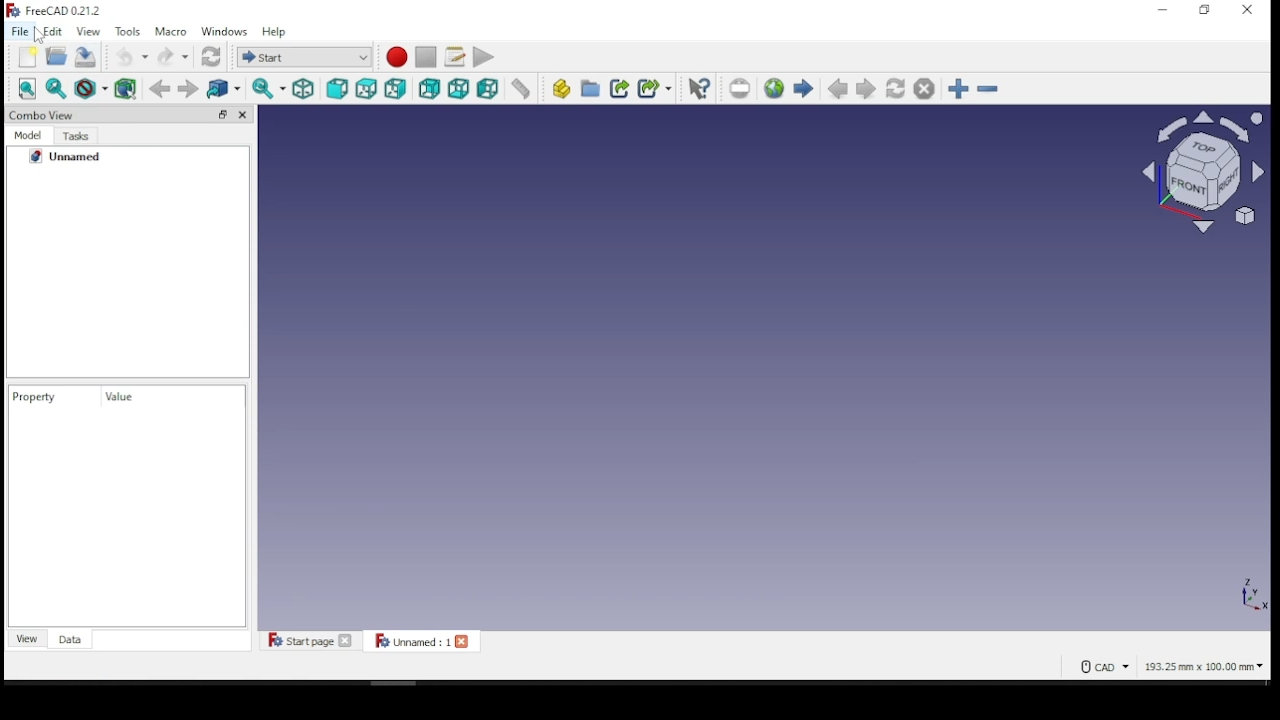 The image size is (1280, 720). Describe the element at coordinates (619, 87) in the screenshot. I see `make link` at that location.